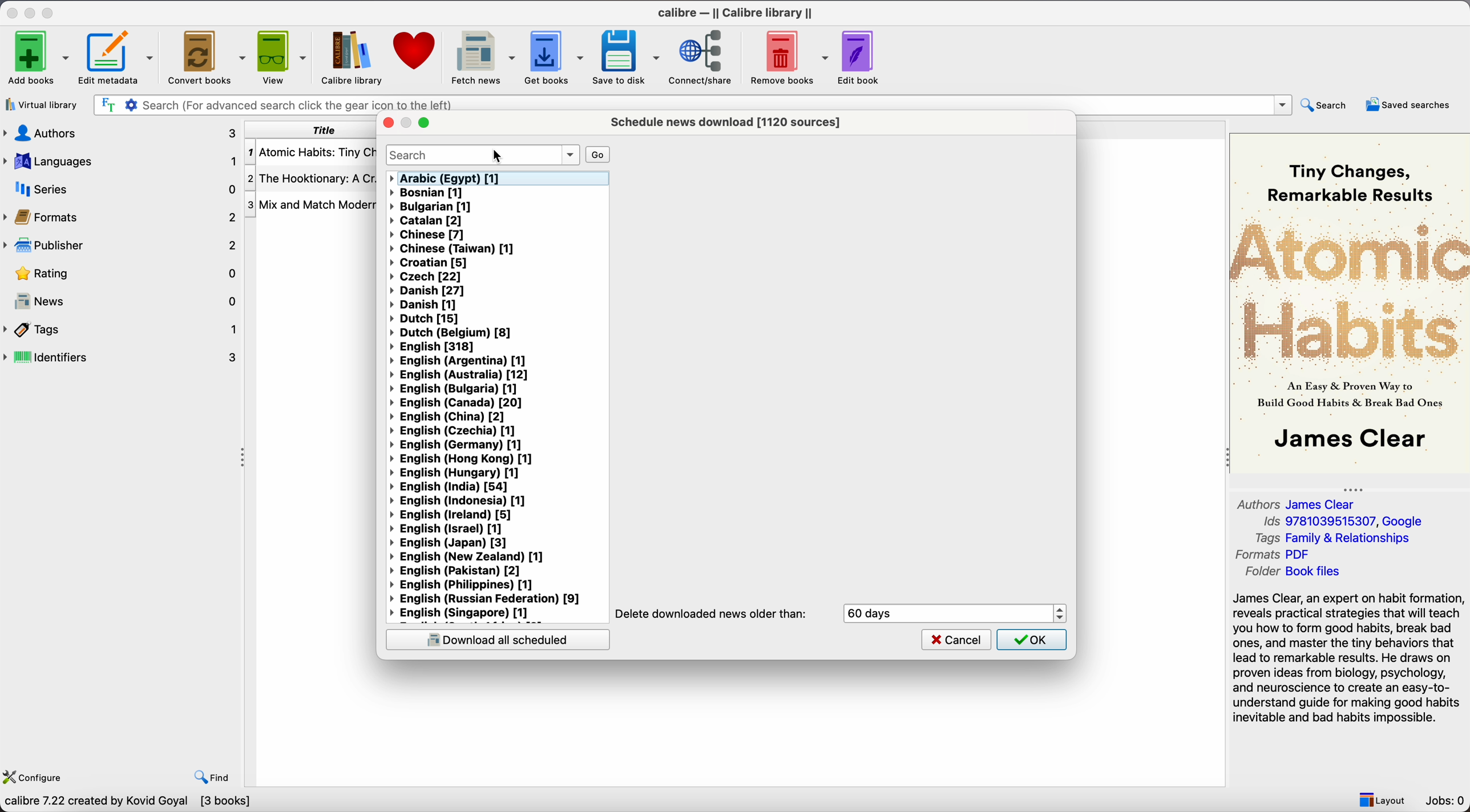 Image resolution: width=1470 pixels, height=812 pixels. What do you see at coordinates (496, 156) in the screenshot?
I see `cursor` at bounding box center [496, 156].